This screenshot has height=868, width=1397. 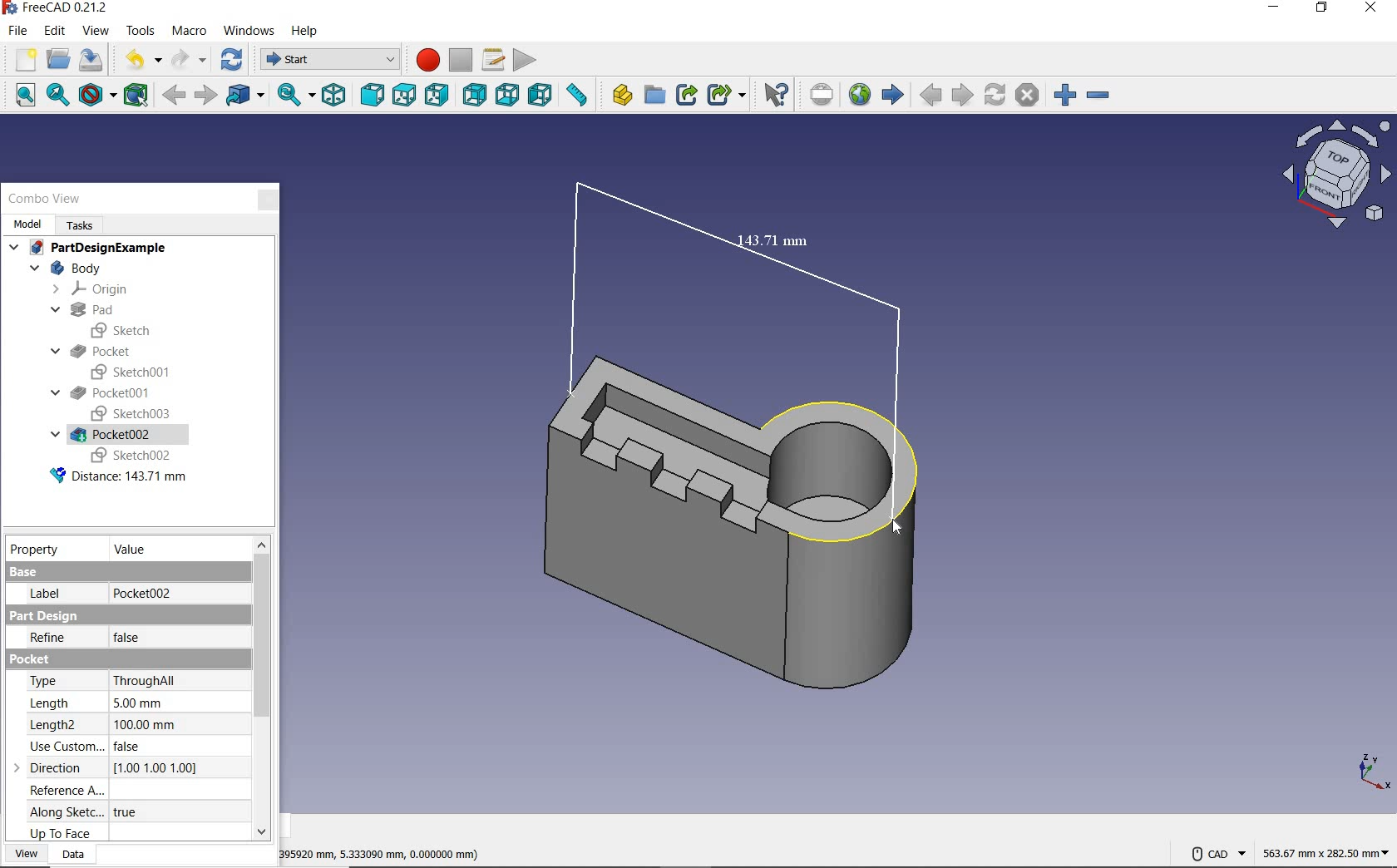 I want to click on throughall, so click(x=147, y=680).